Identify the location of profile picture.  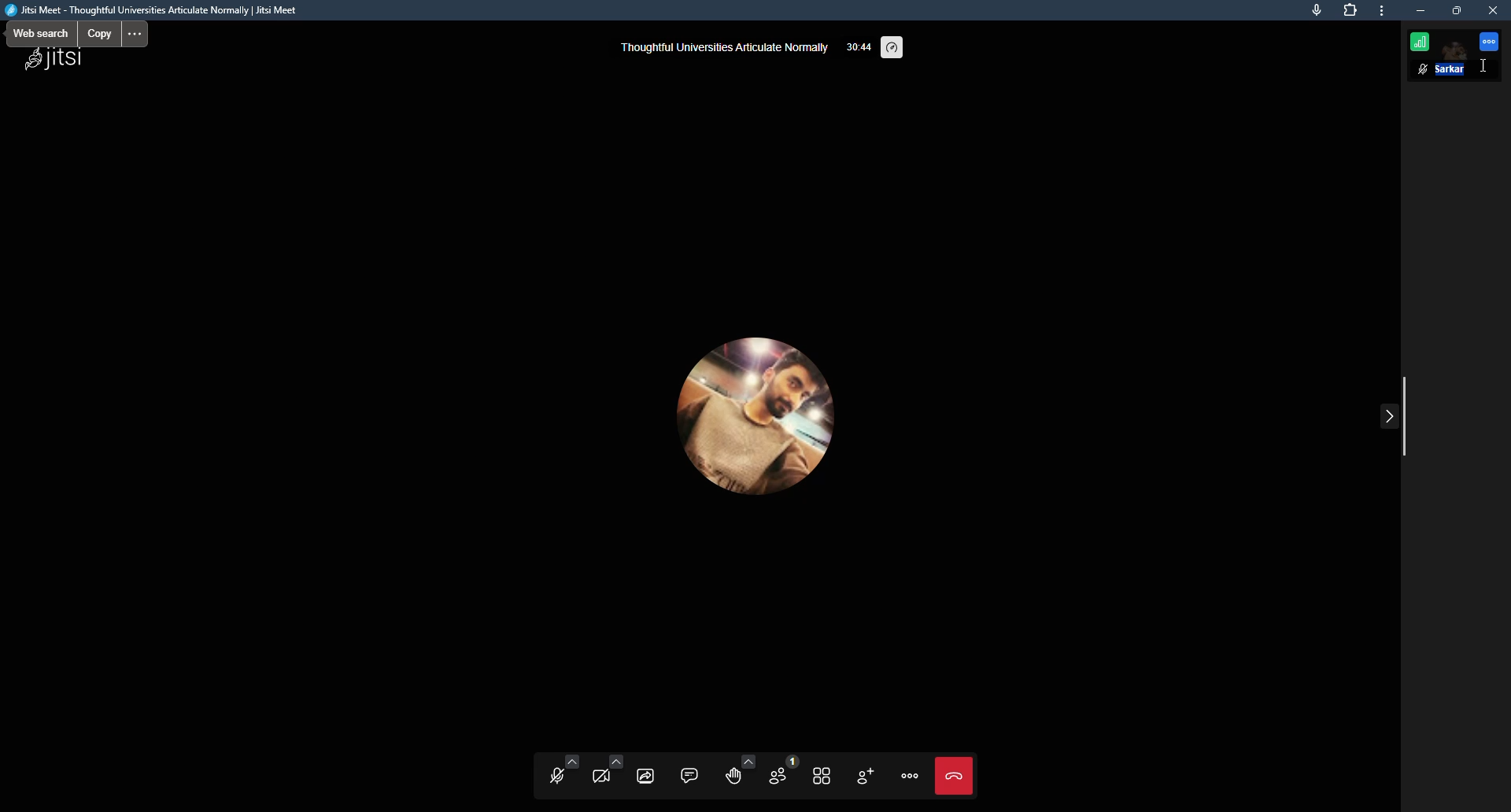
(766, 416).